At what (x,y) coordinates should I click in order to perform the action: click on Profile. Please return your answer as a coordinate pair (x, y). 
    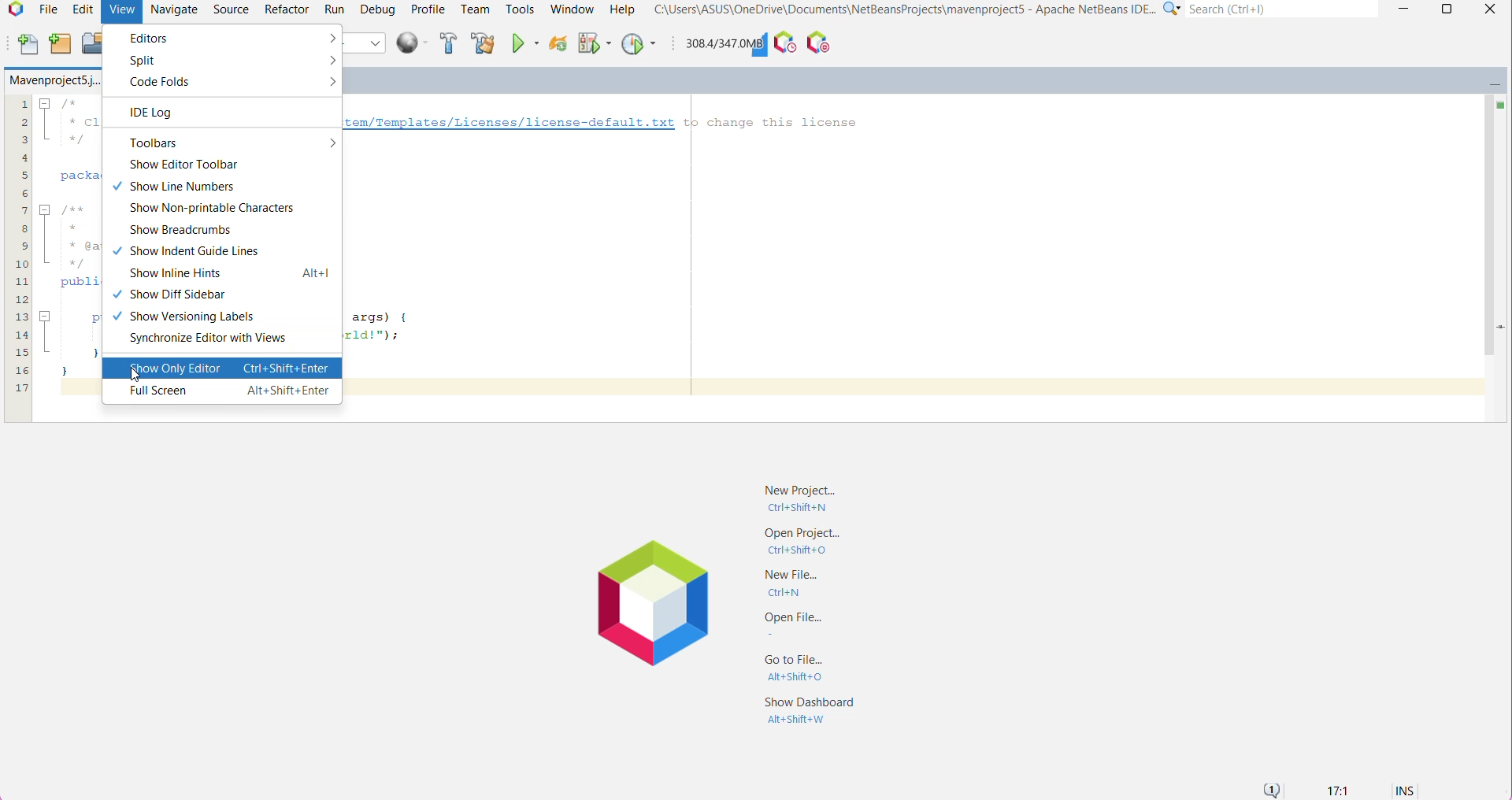
    Looking at the image, I should click on (428, 9).